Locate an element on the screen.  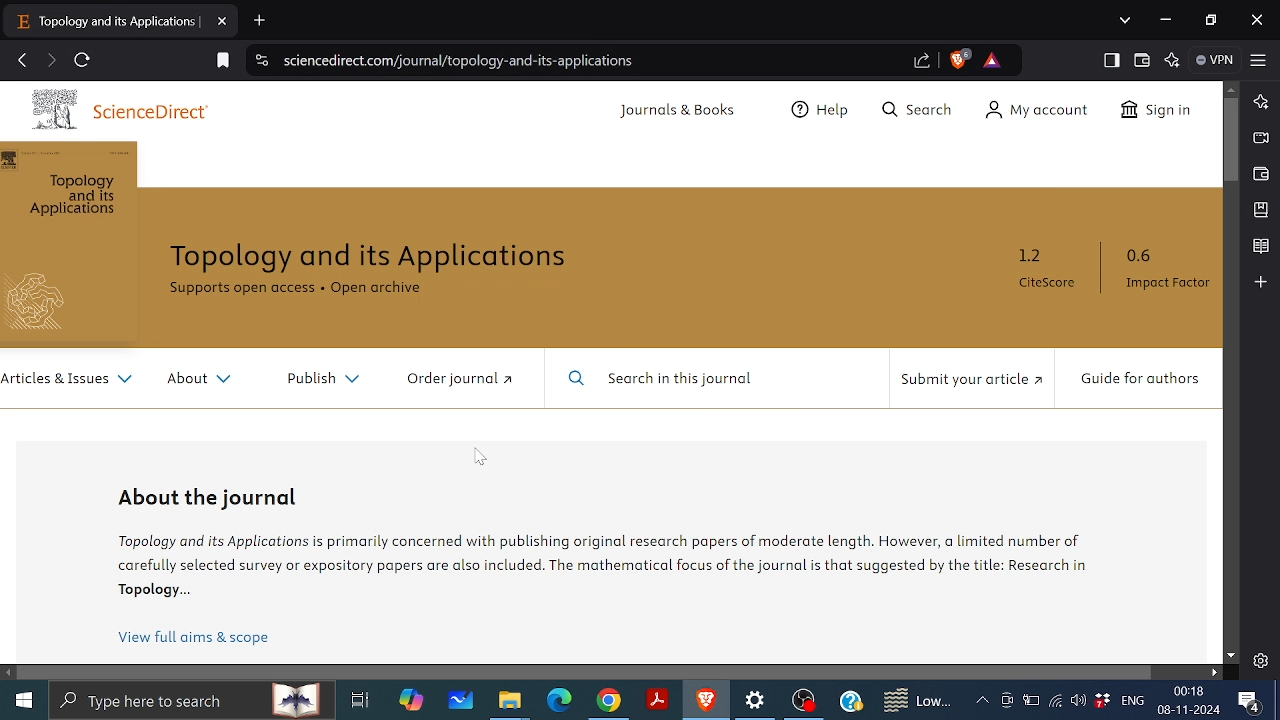
sciencedirect is located at coordinates (112, 109).